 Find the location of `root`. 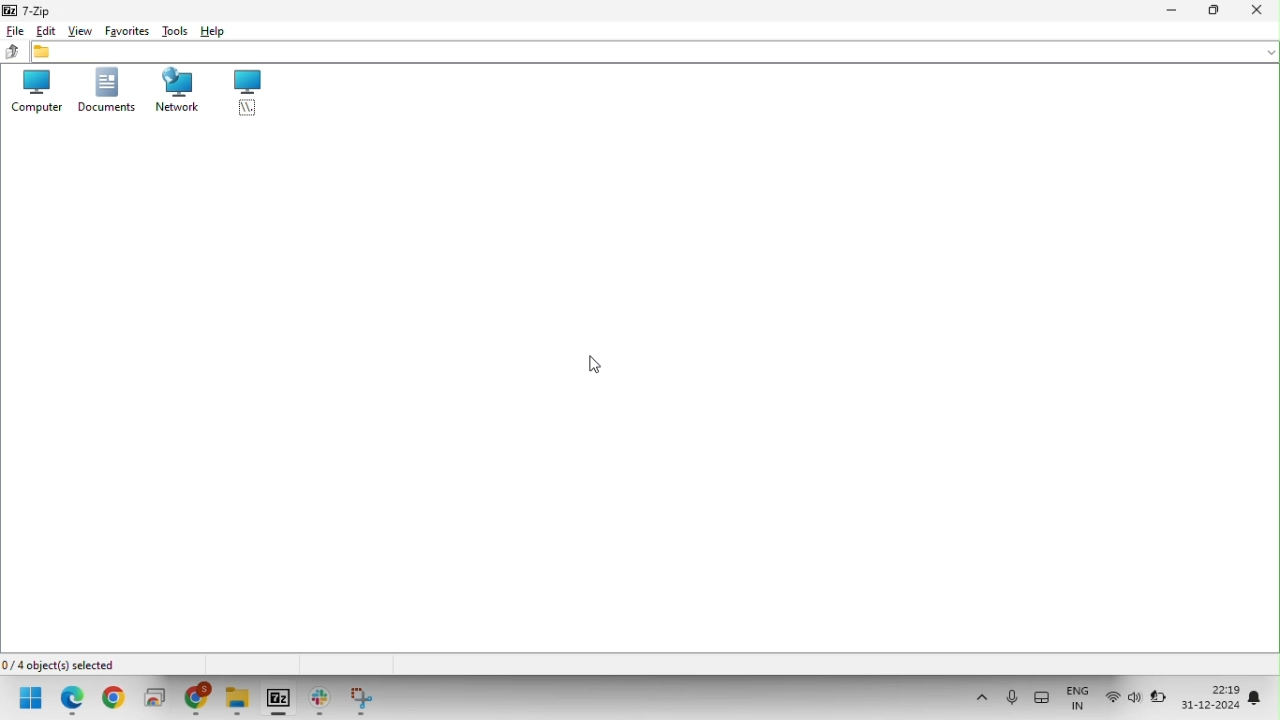

root is located at coordinates (243, 94).